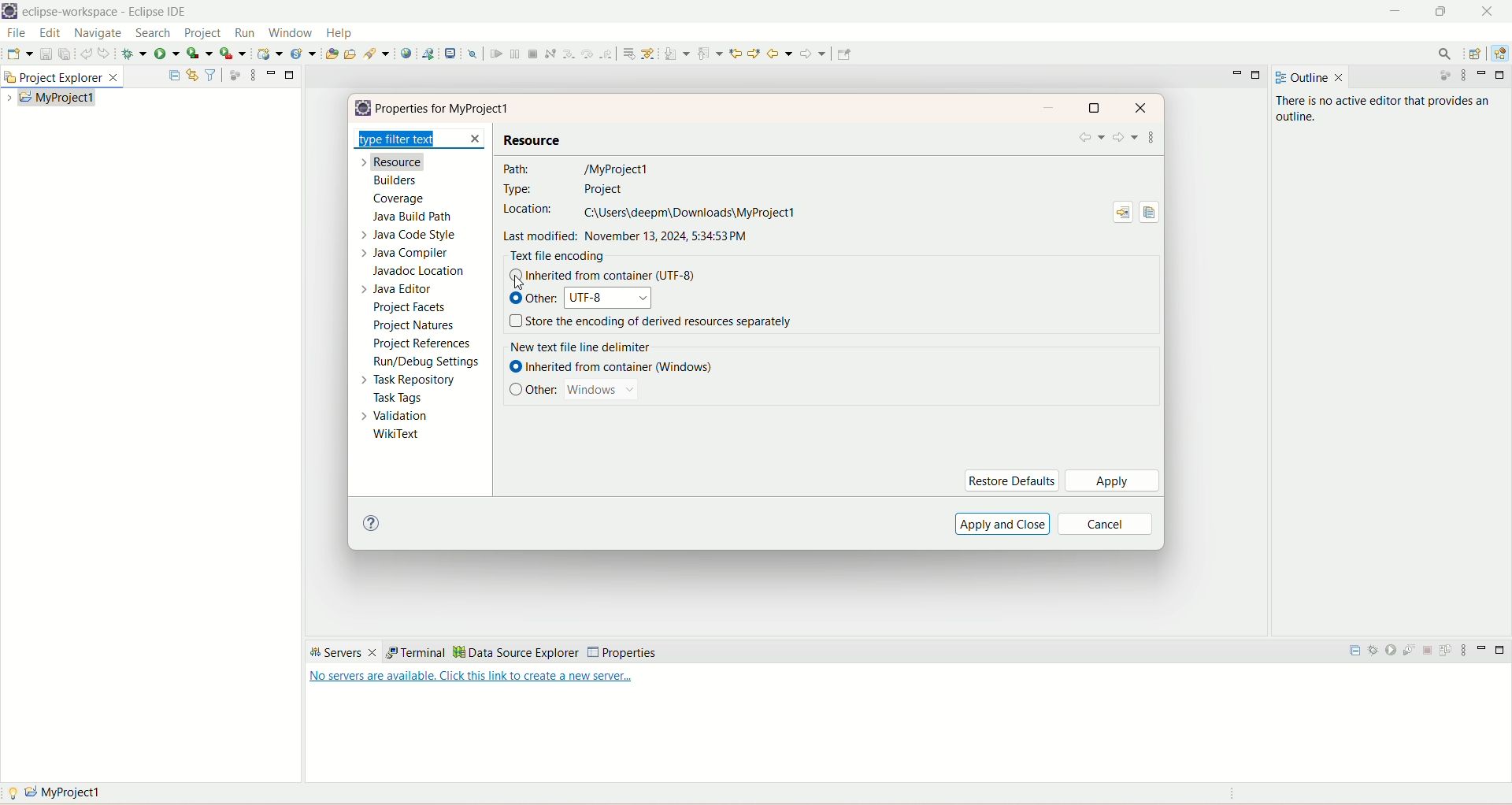 Image resolution: width=1512 pixels, height=805 pixels. Describe the element at coordinates (472, 680) in the screenshot. I see `text` at that location.